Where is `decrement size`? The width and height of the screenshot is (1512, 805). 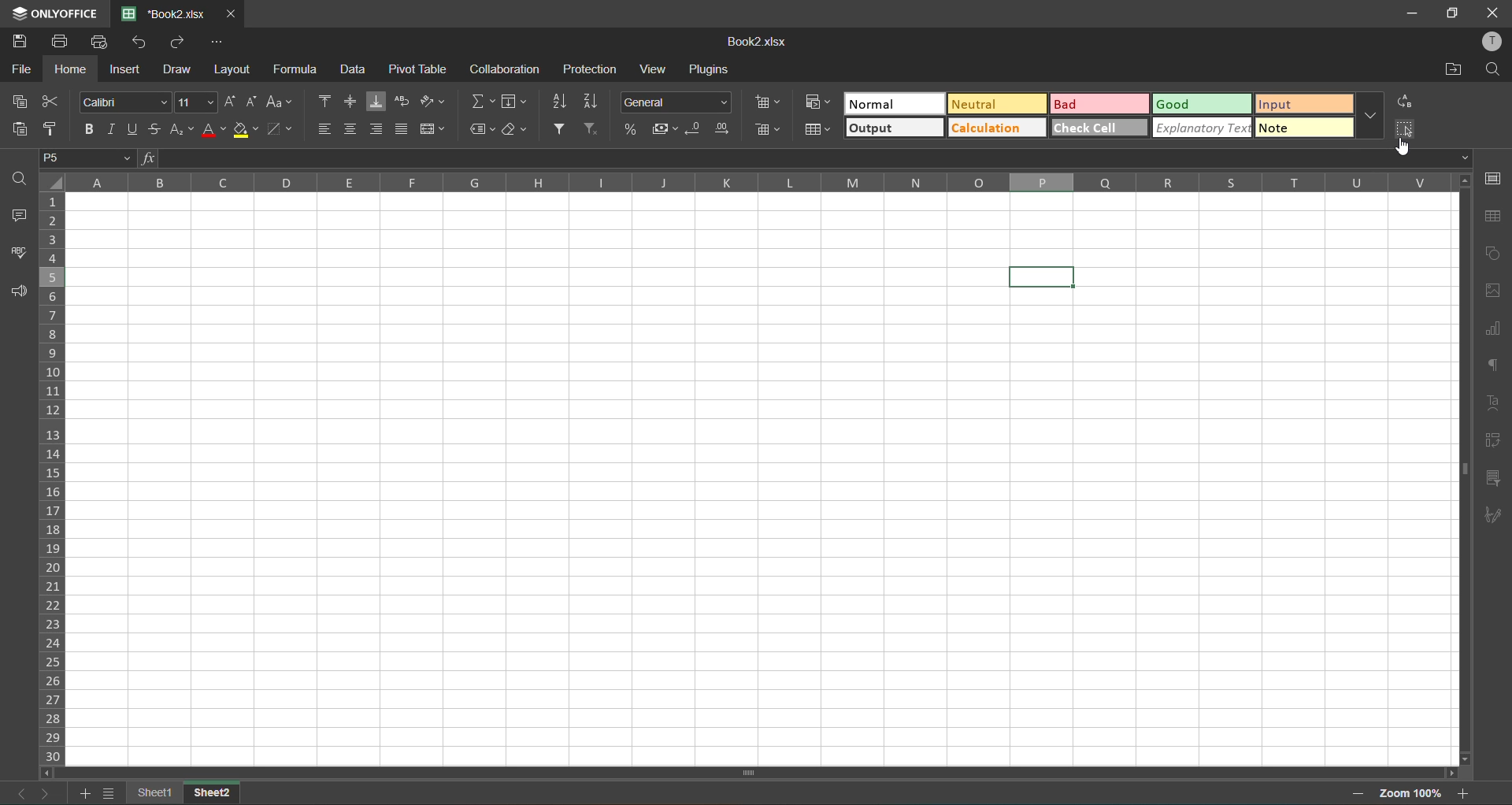 decrement size is located at coordinates (250, 103).